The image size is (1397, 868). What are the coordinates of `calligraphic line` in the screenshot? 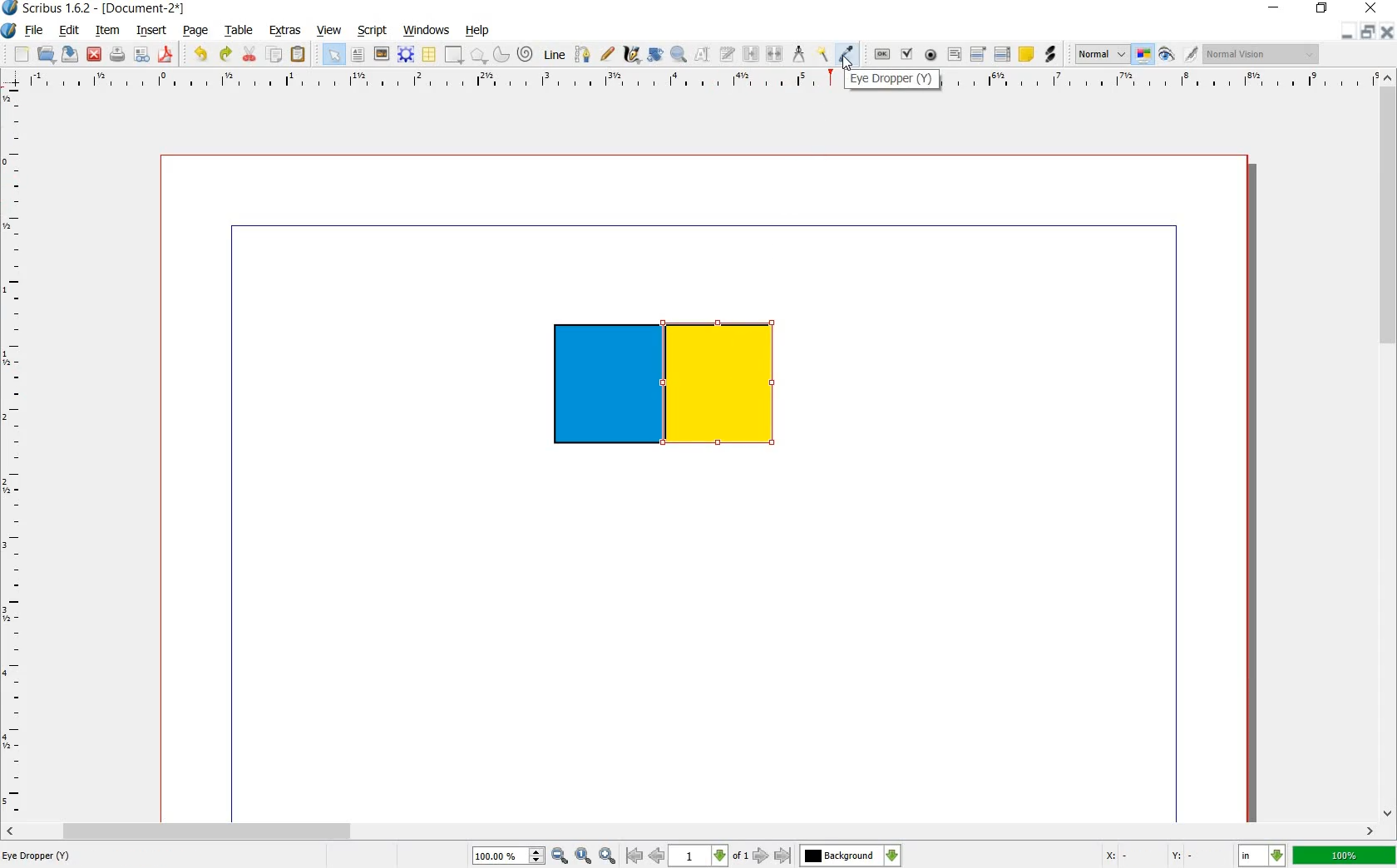 It's located at (632, 55).